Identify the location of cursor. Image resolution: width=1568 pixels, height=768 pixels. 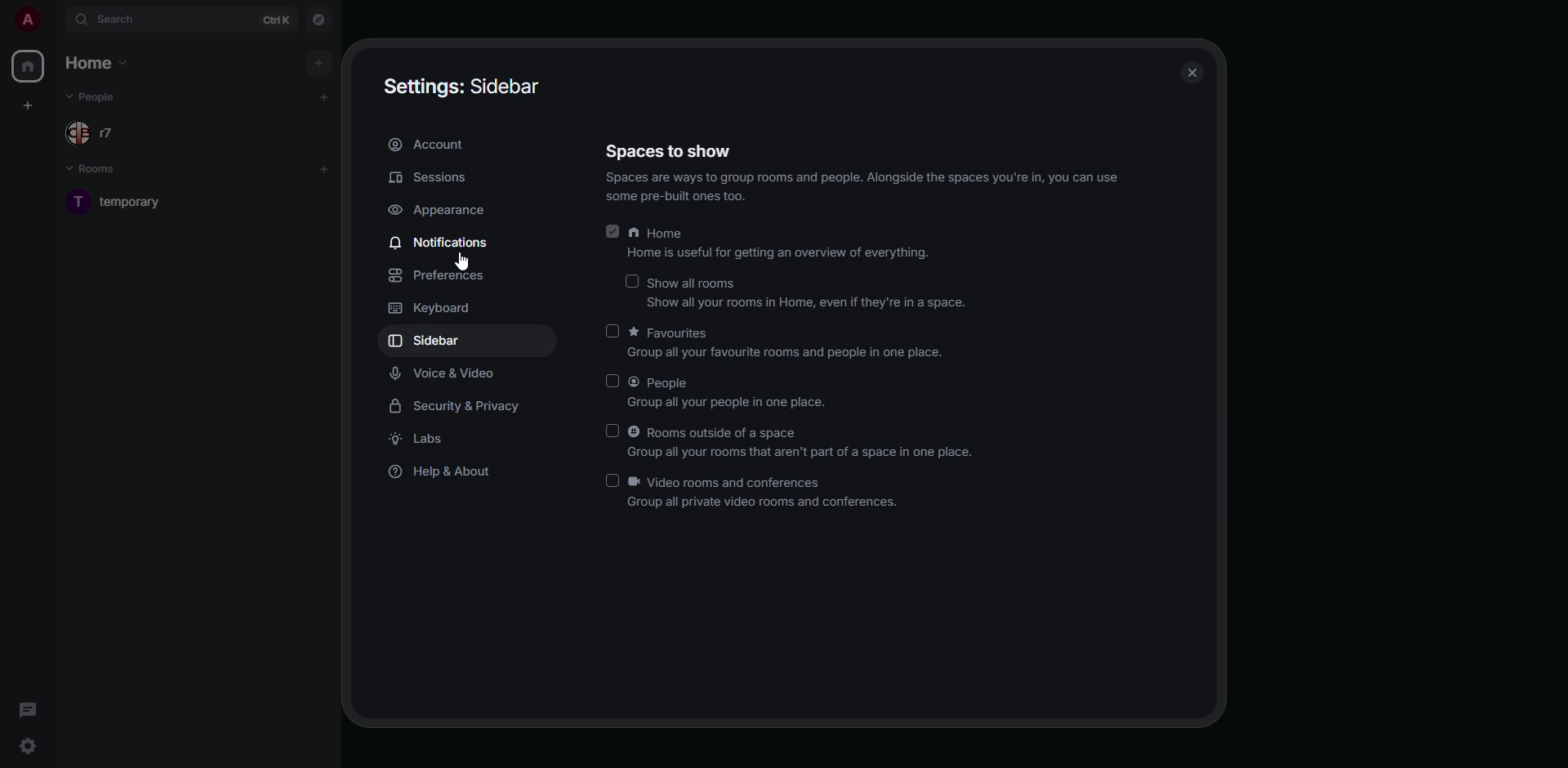
(459, 262).